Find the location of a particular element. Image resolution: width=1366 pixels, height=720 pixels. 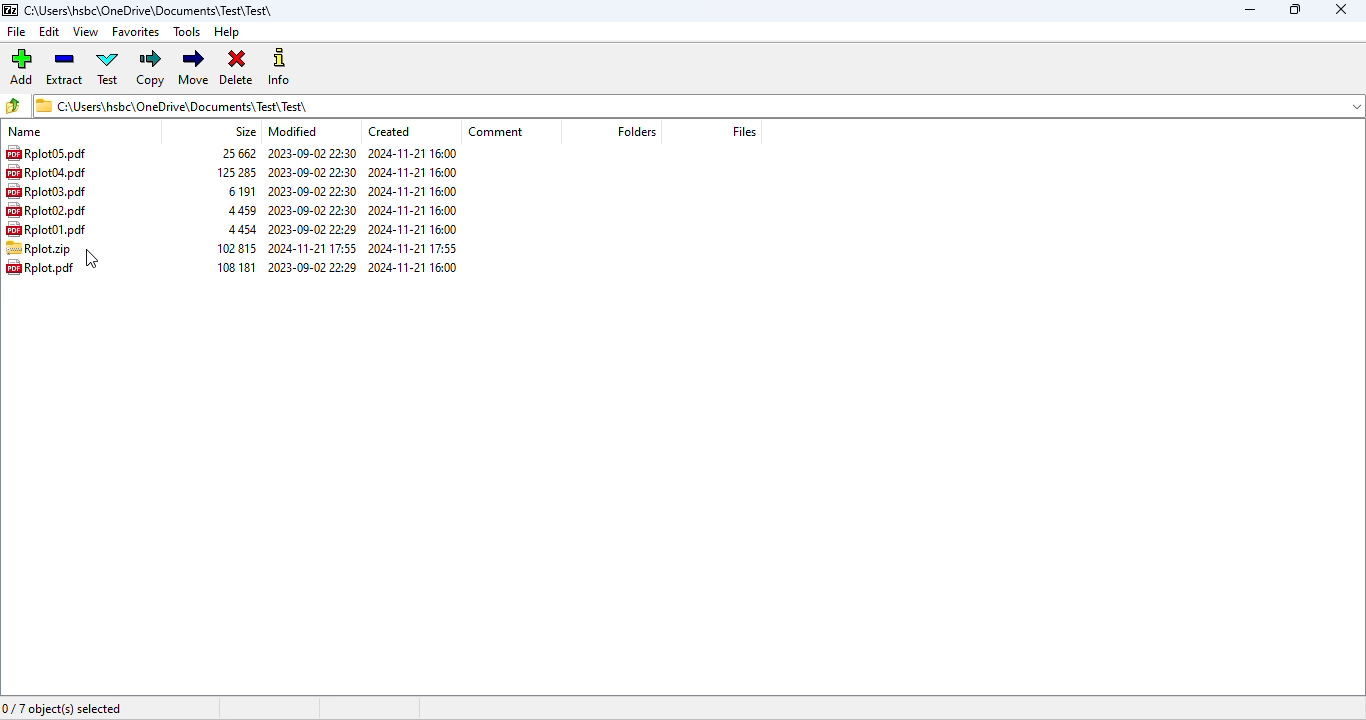

add is located at coordinates (22, 66).